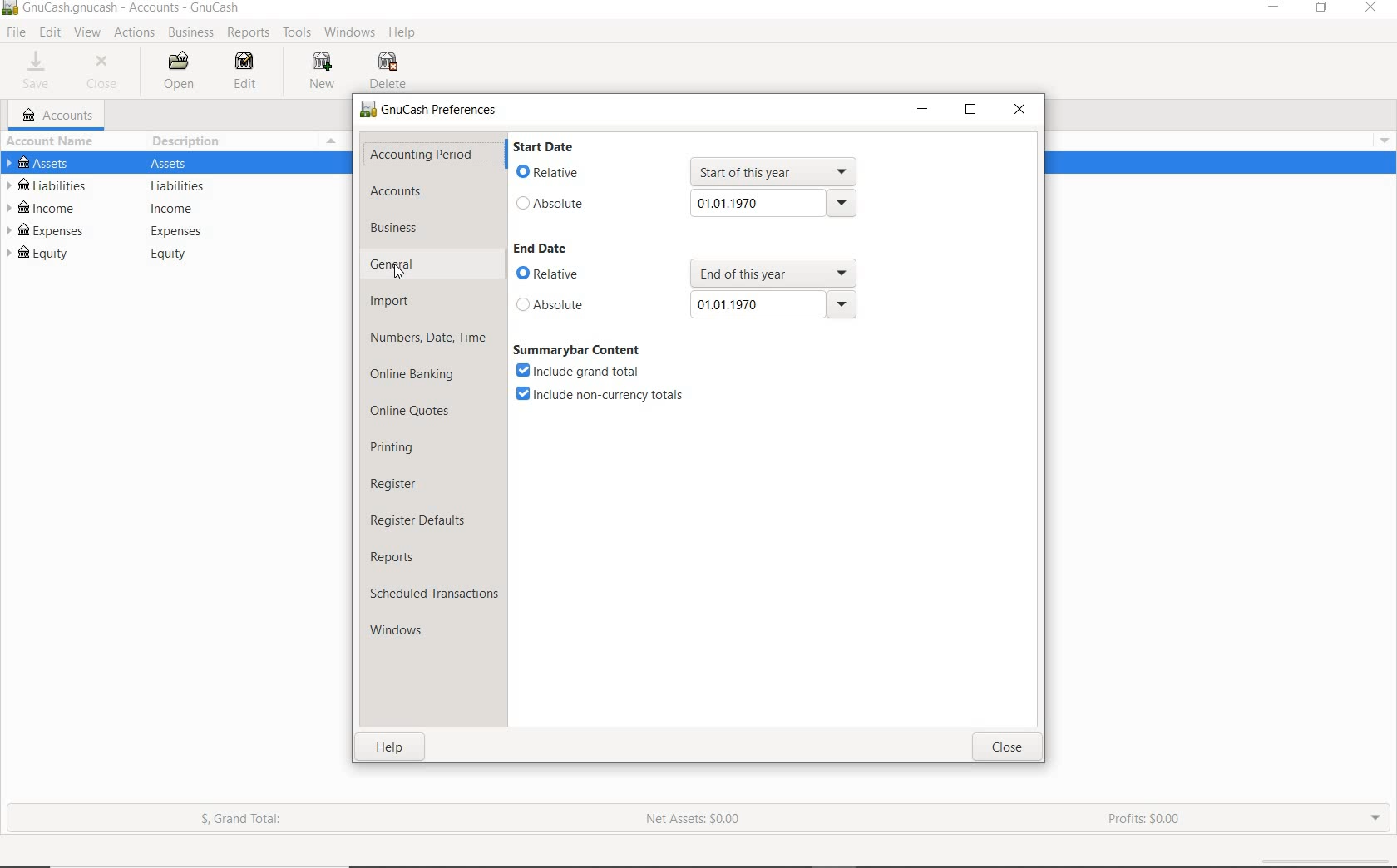  What do you see at coordinates (241, 70) in the screenshot?
I see `EDIT` at bounding box center [241, 70].